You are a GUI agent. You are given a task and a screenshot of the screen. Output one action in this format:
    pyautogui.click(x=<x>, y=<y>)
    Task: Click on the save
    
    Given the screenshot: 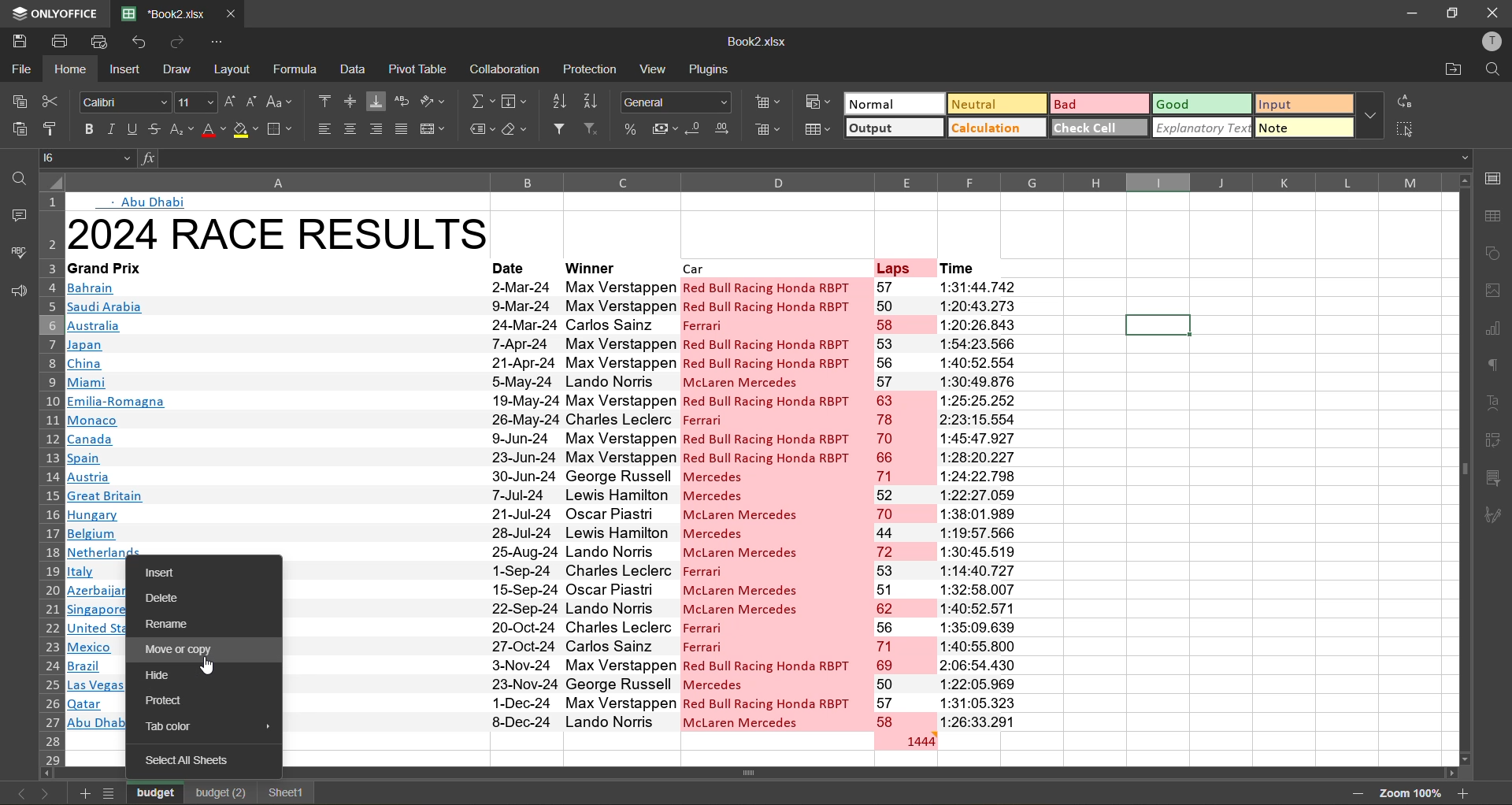 What is the action you would take?
    pyautogui.click(x=18, y=39)
    